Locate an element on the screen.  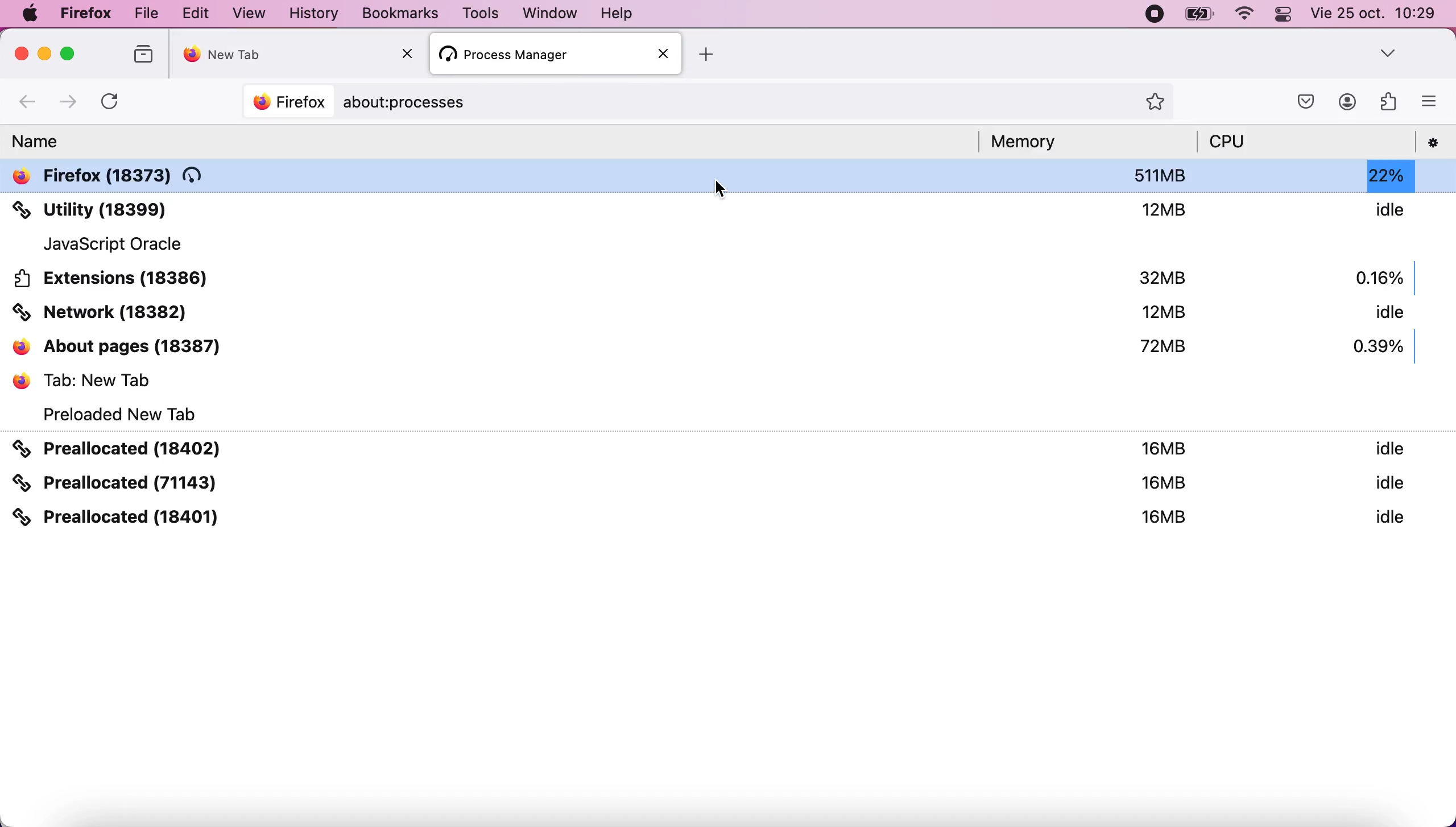
Close is located at coordinates (23, 53).